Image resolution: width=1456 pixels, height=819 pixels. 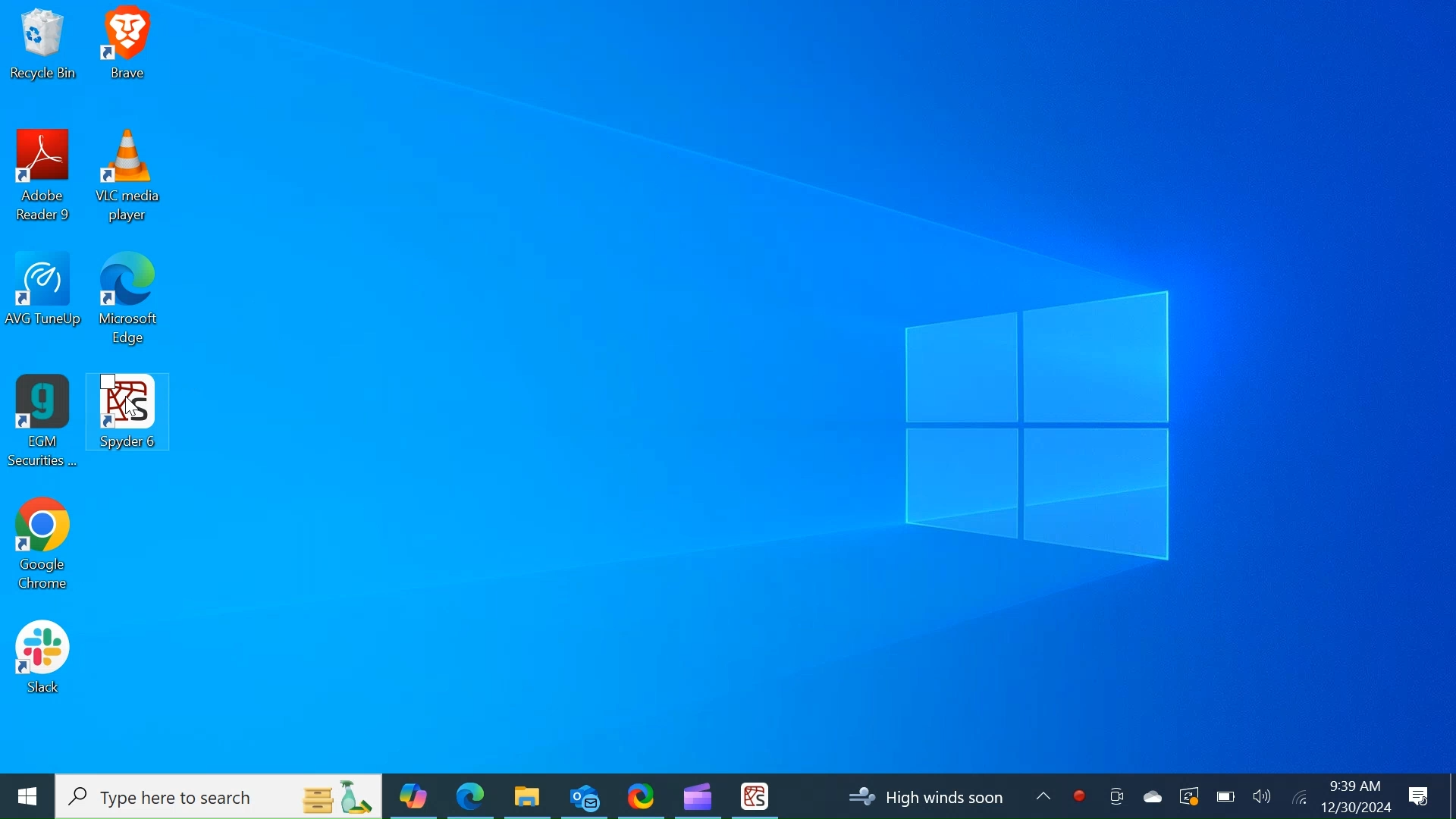 I want to click on Google Chrome Desktop Icon, so click(x=42, y=548).